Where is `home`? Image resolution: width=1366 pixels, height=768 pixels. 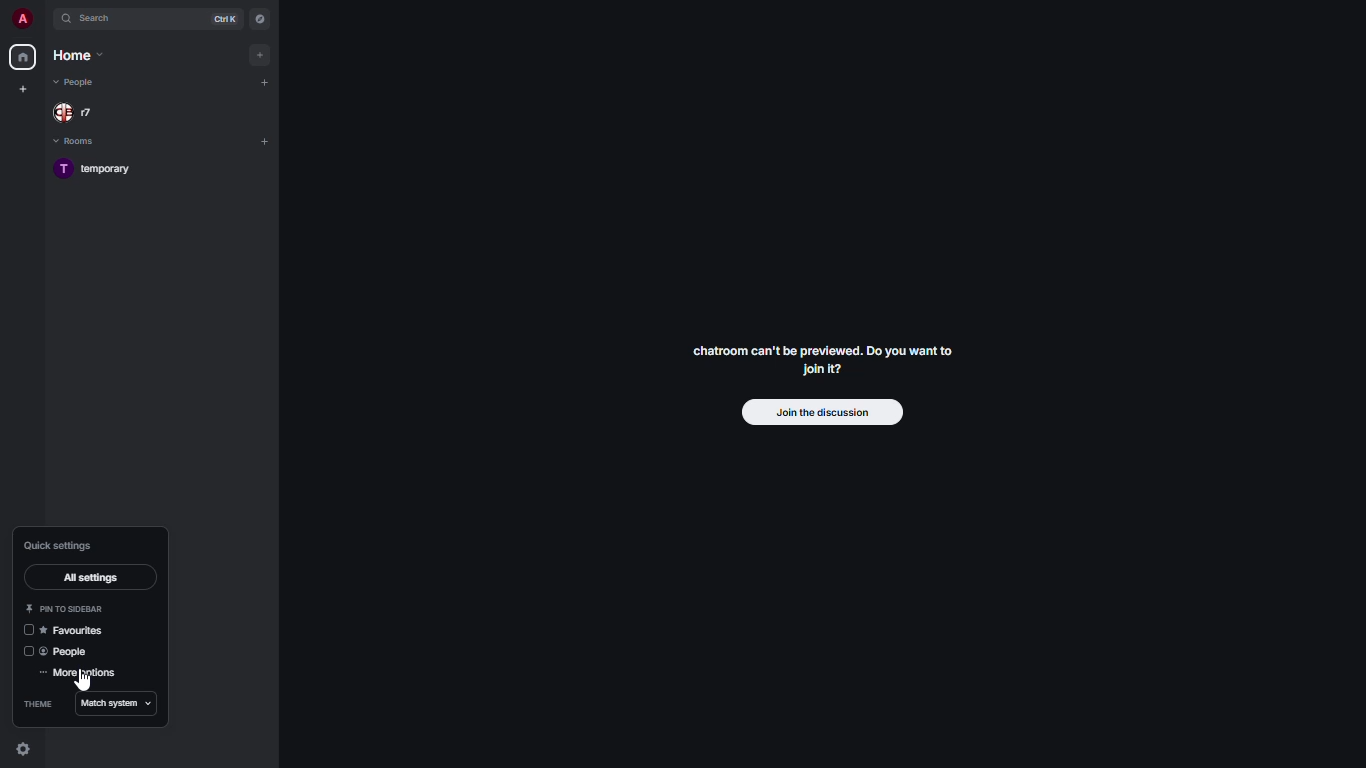 home is located at coordinates (78, 54).